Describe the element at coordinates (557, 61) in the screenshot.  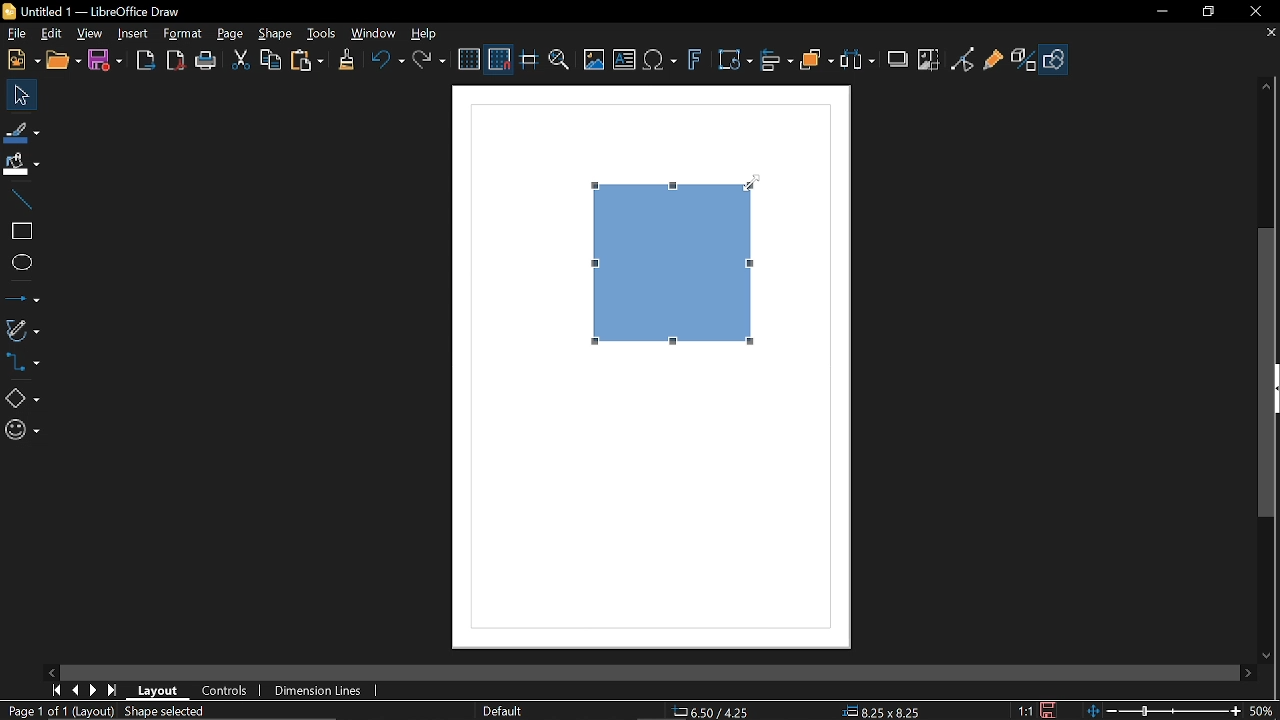
I see `Zoom` at that location.